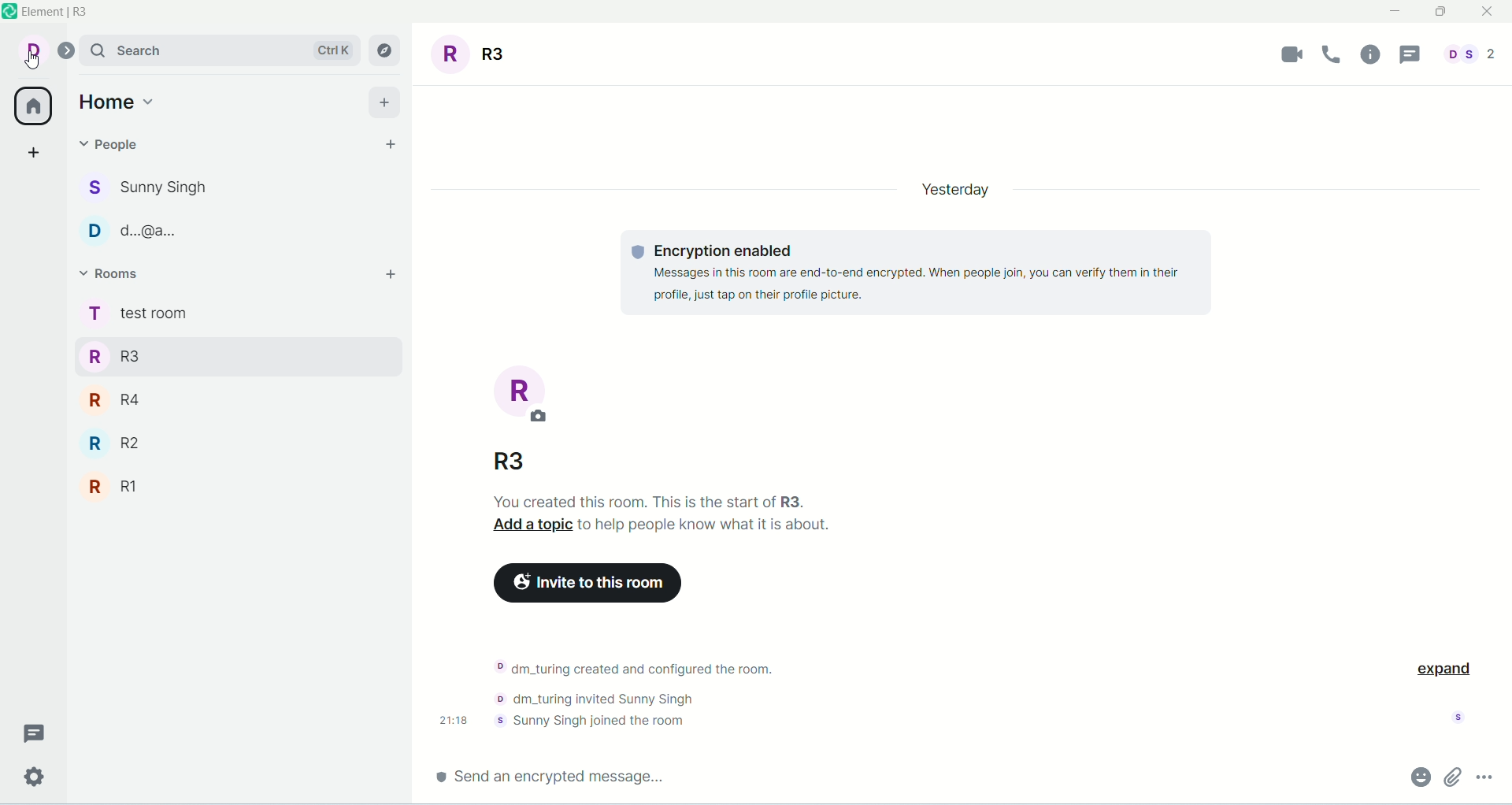  I want to click on people, so click(1466, 54).